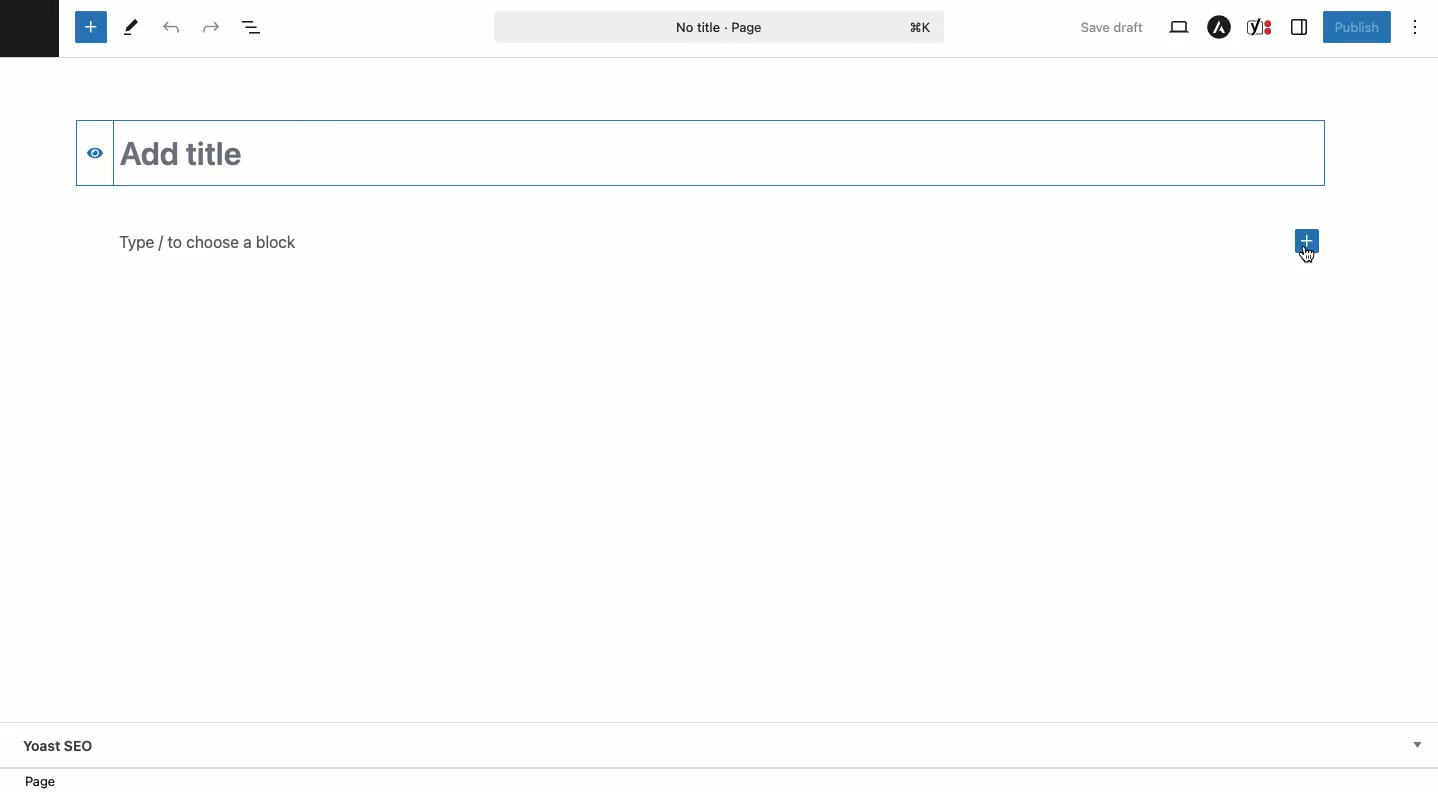  Describe the element at coordinates (210, 28) in the screenshot. I see `Redo` at that location.